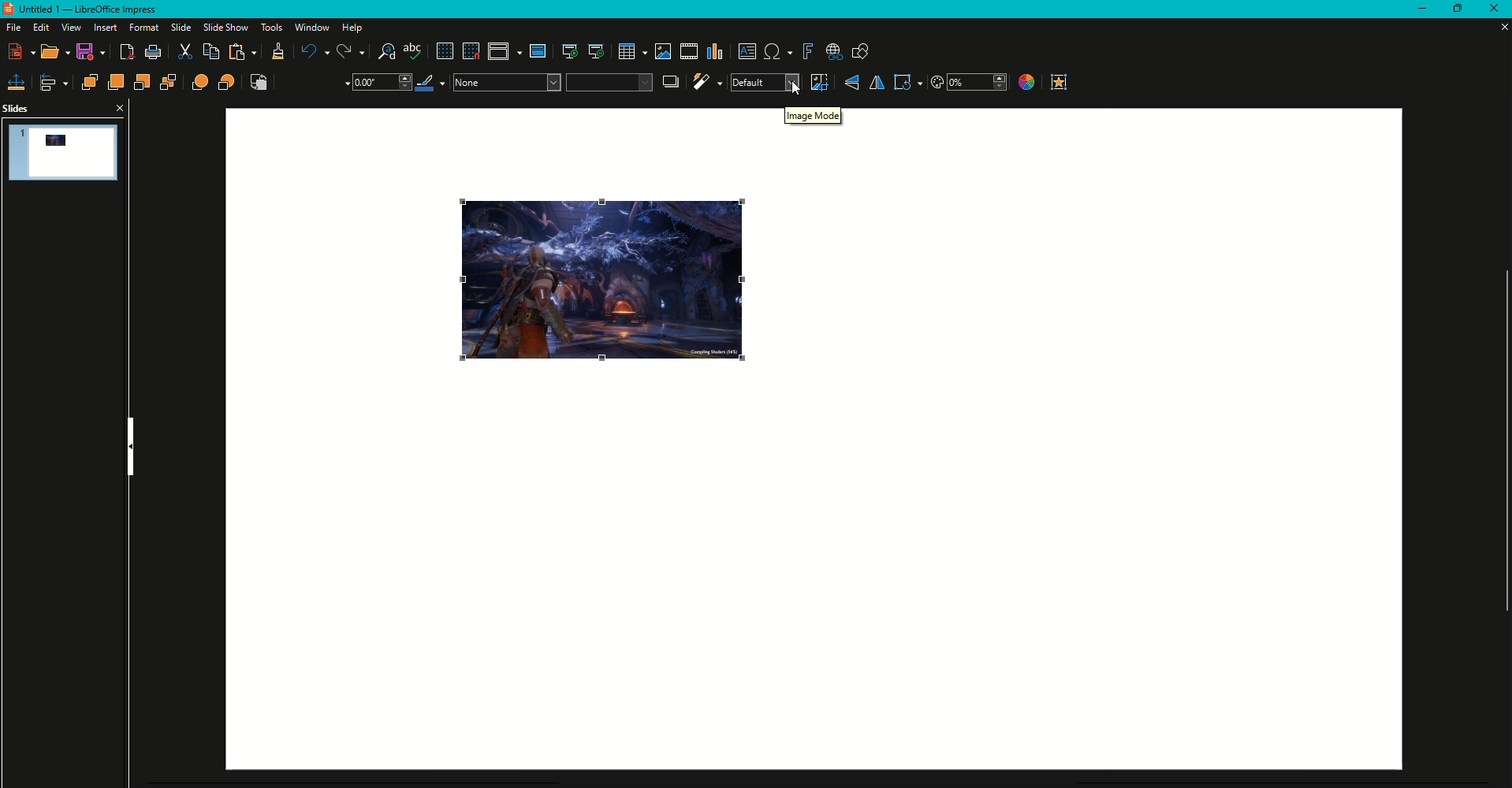 Image resolution: width=1512 pixels, height=788 pixels. What do you see at coordinates (55, 83) in the screenshot?
I see `Align Objects` at bounding box center [55, 83].